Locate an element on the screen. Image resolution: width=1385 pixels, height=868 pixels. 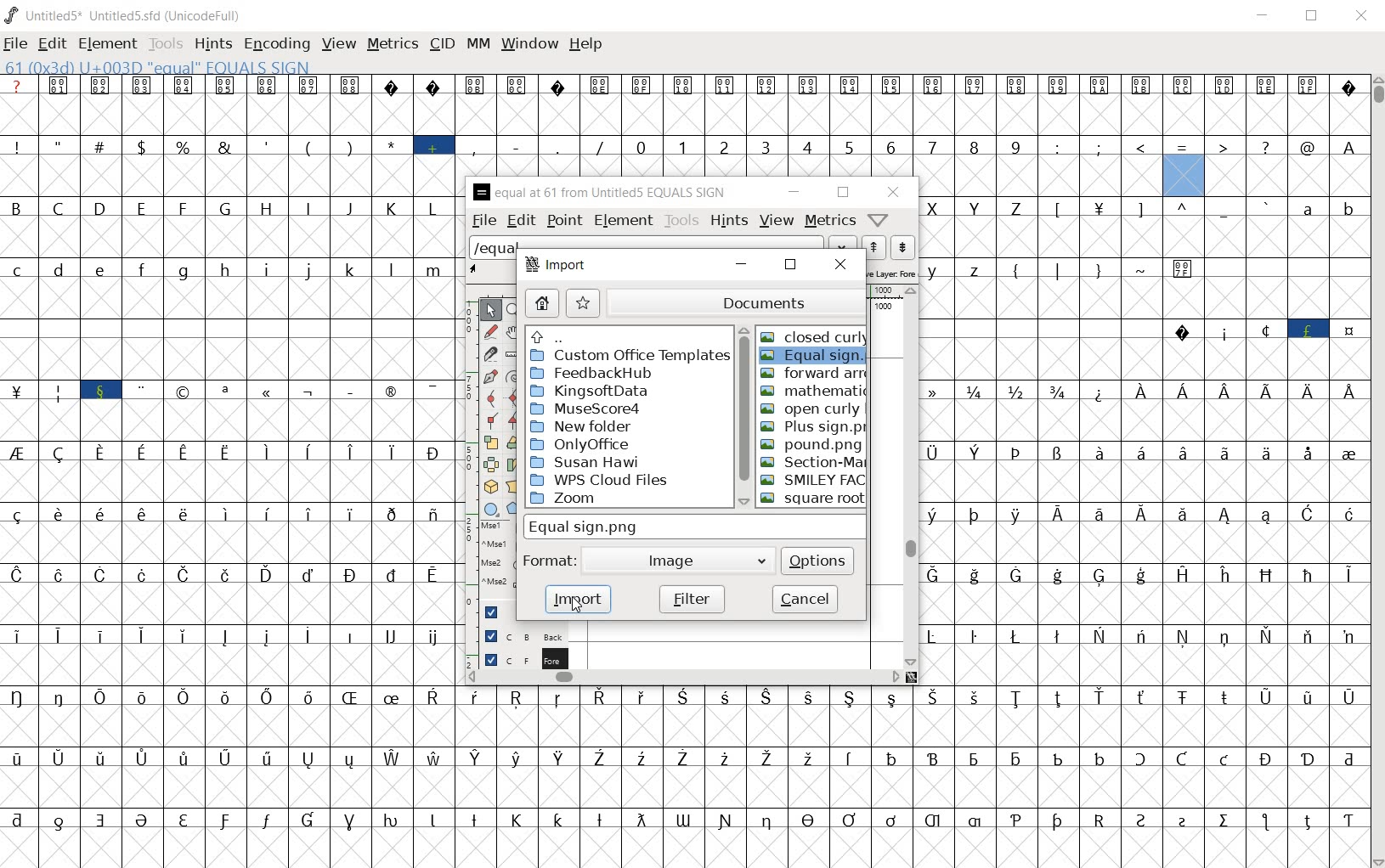
element is located at coordinates (105, 42).